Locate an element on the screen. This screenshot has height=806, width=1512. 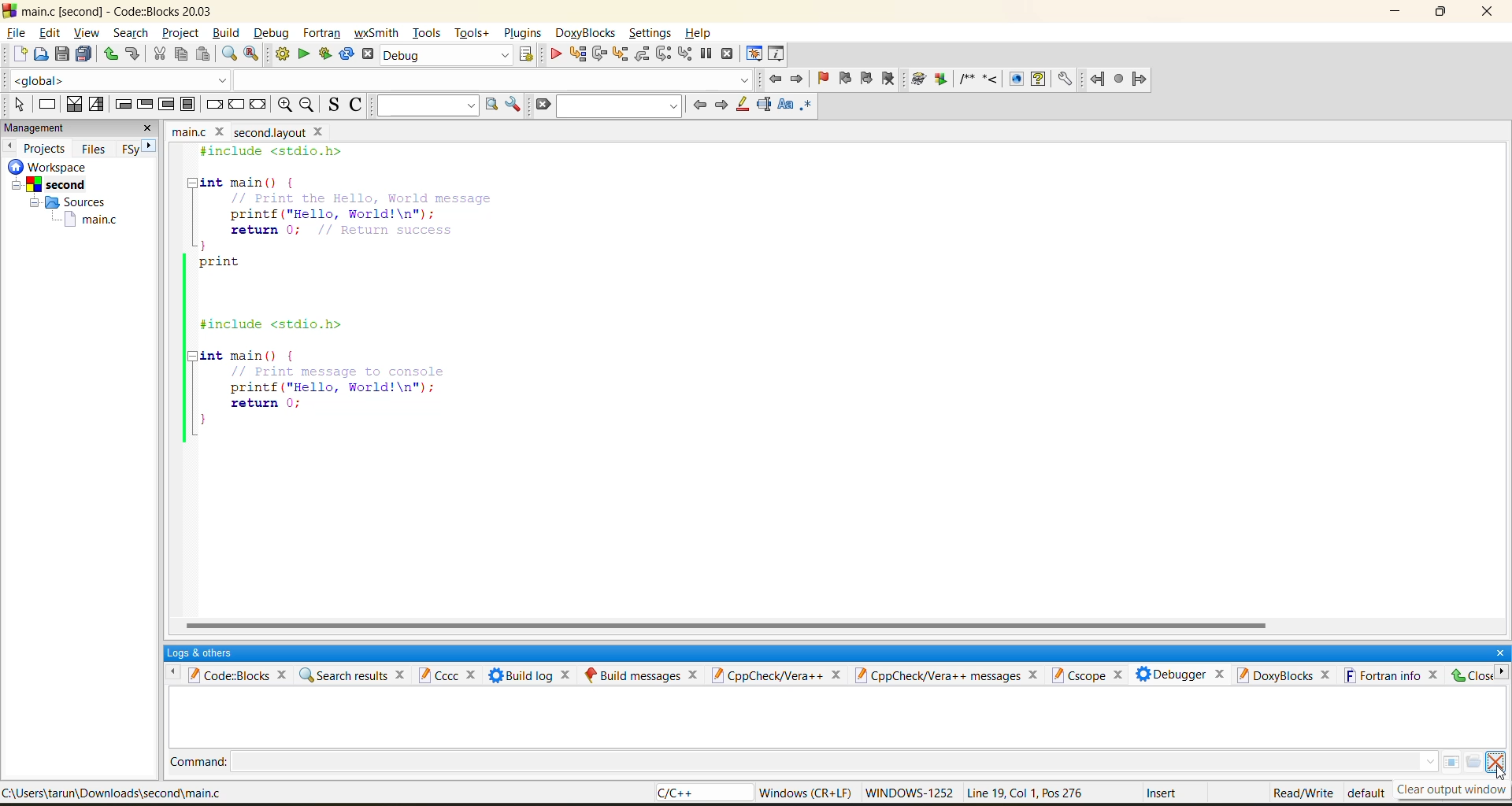
logs and others is located at coordinates (206, 654).